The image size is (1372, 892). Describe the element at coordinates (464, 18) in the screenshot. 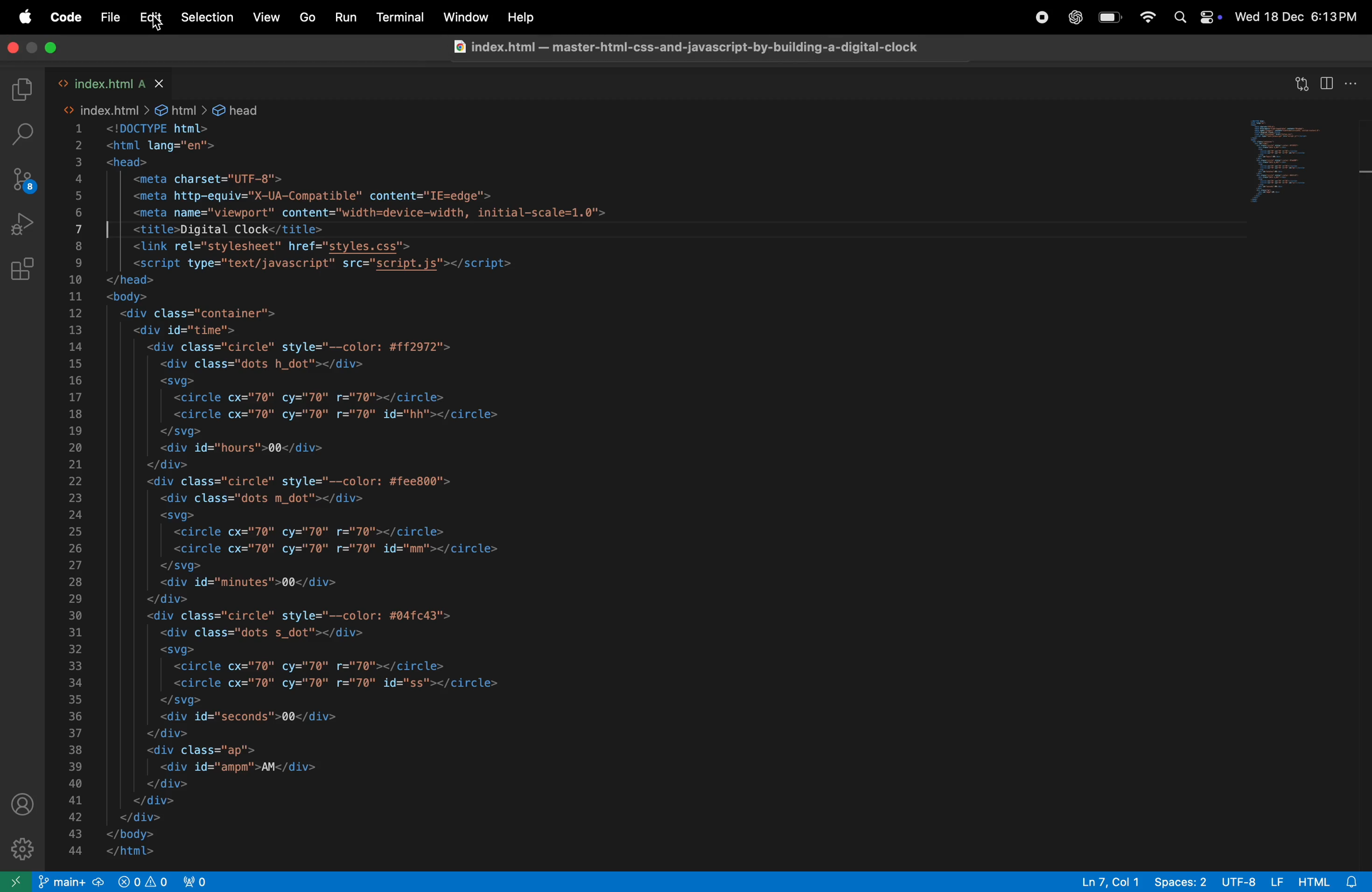

I see `window` at that location.